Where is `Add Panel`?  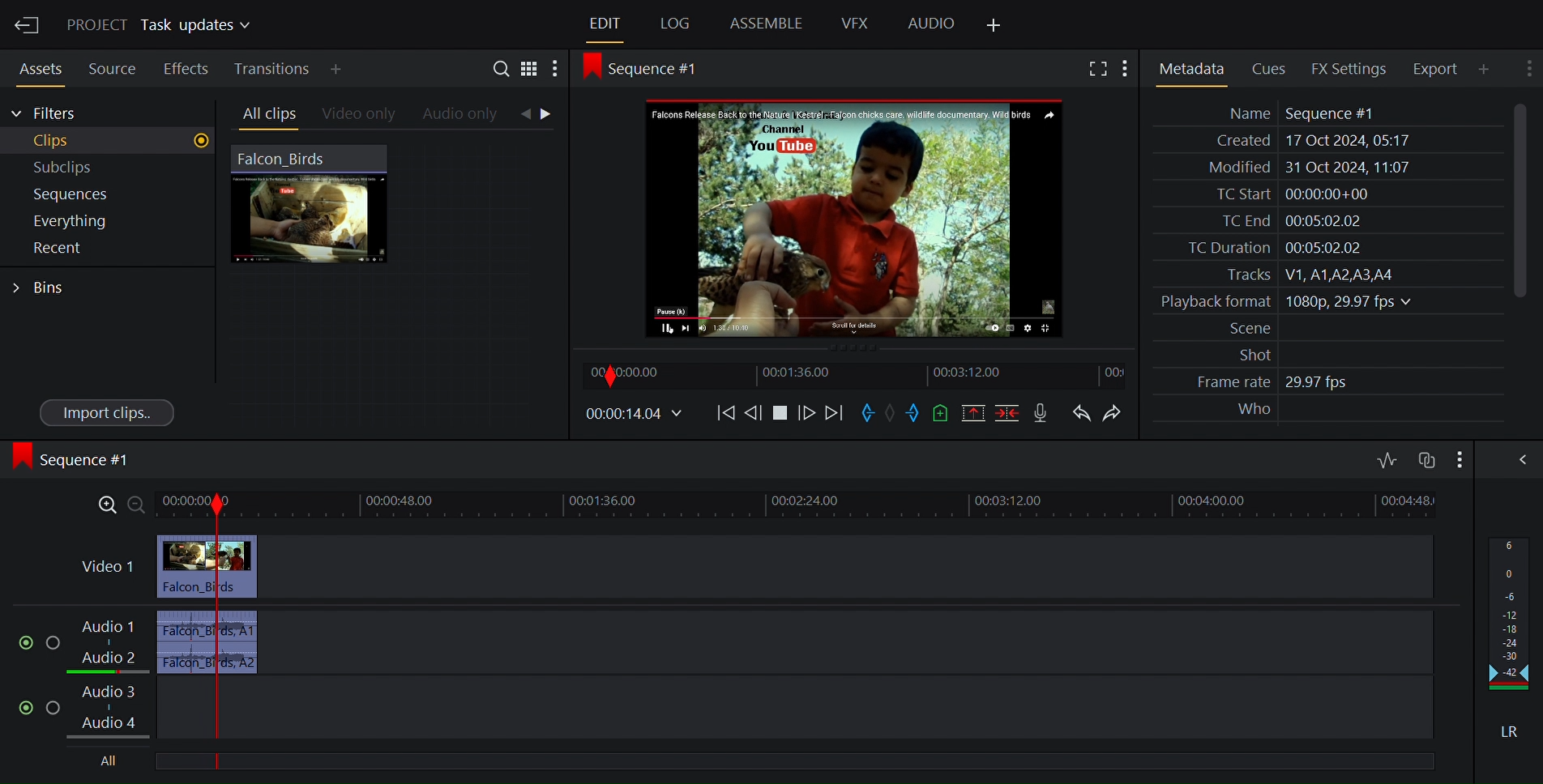
Add Panel is located at coordinates (336, 68).